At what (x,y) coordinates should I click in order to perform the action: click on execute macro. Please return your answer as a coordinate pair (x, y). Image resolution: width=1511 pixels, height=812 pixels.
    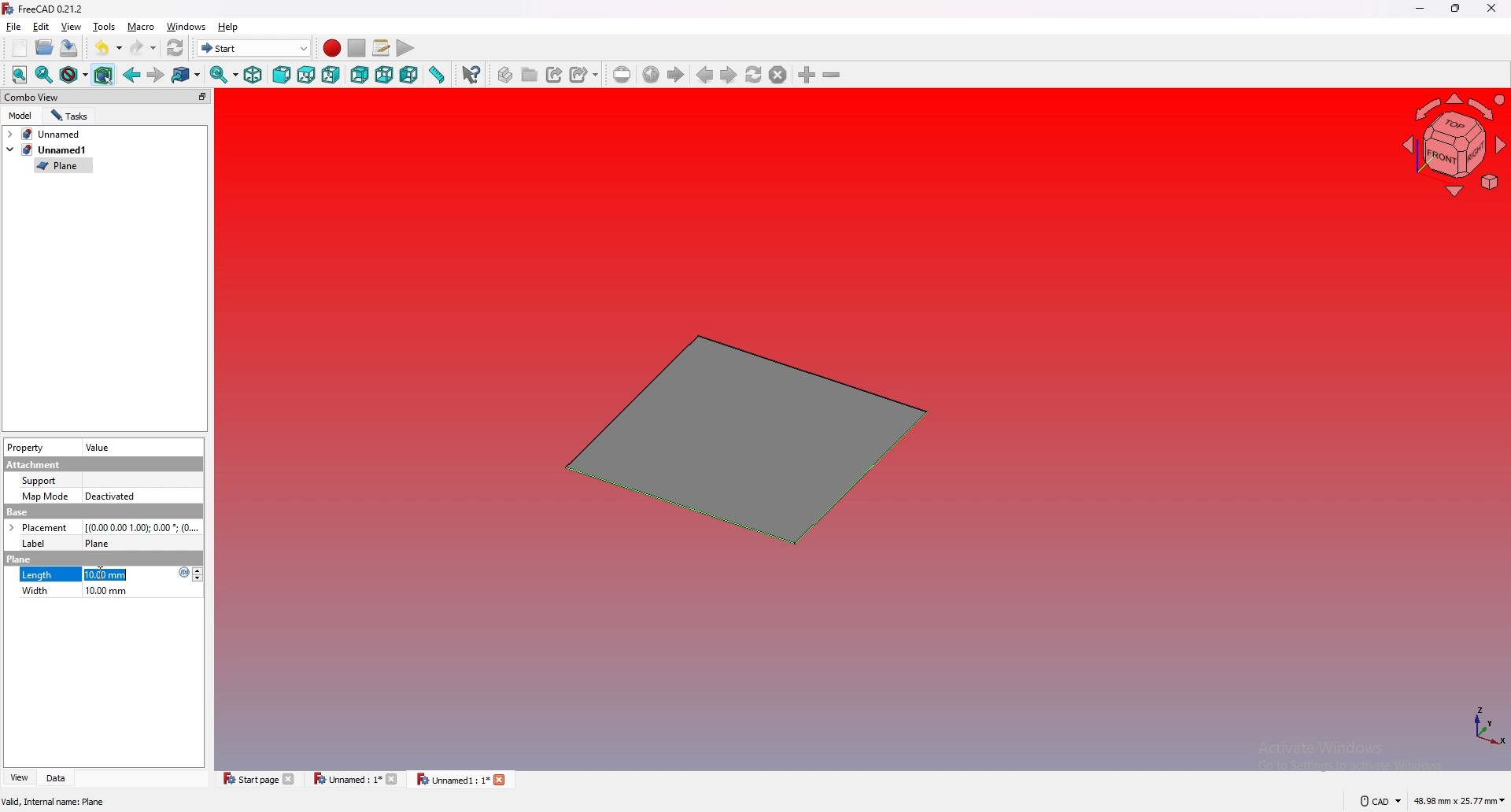
    Looking at the image, I should click on (406, 48).